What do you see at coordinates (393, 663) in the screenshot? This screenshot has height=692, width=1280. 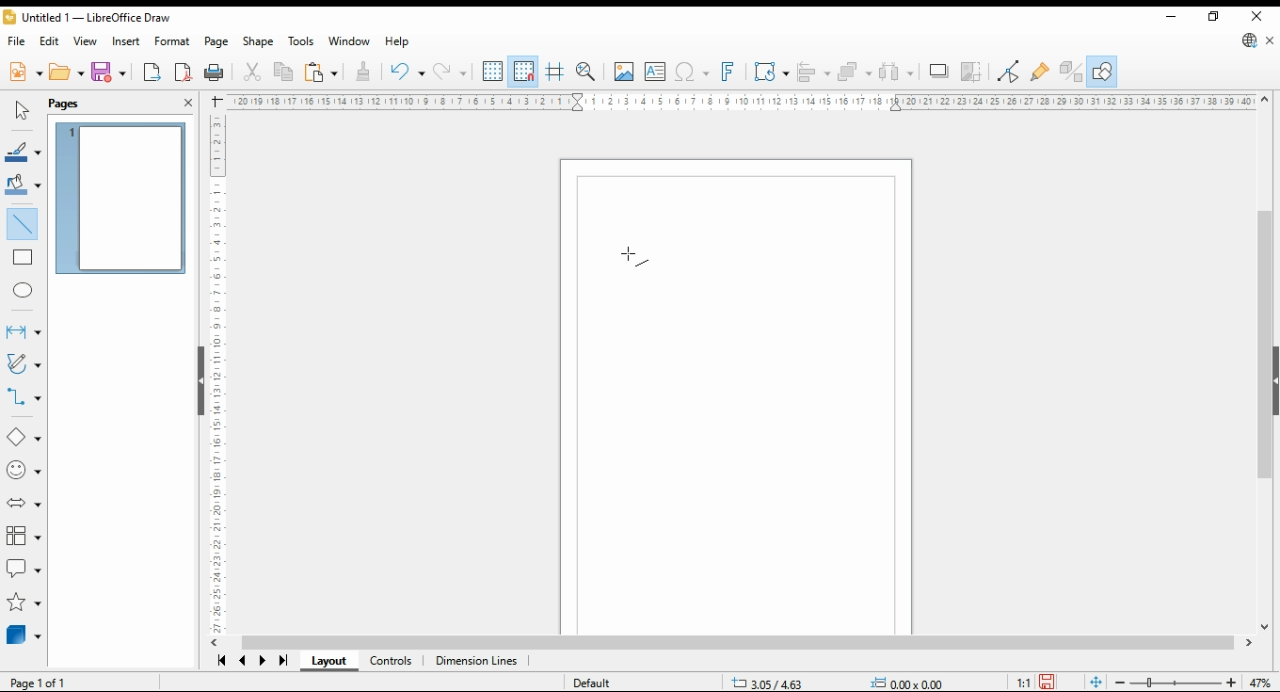 I see `controls` at bounding box center [393, 663].